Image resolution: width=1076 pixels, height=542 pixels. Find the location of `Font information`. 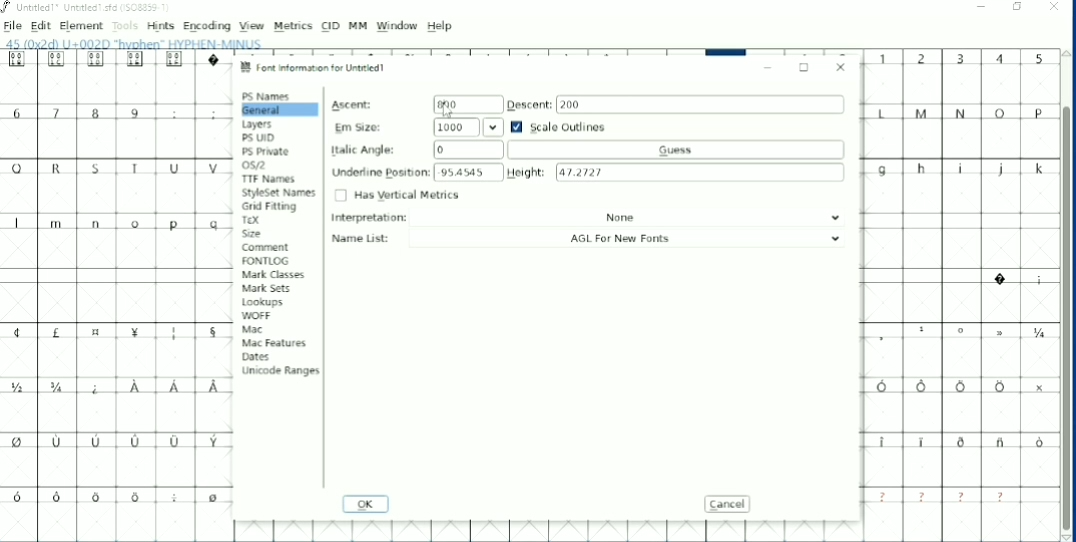

Font information is located at coordinates (317, 67).